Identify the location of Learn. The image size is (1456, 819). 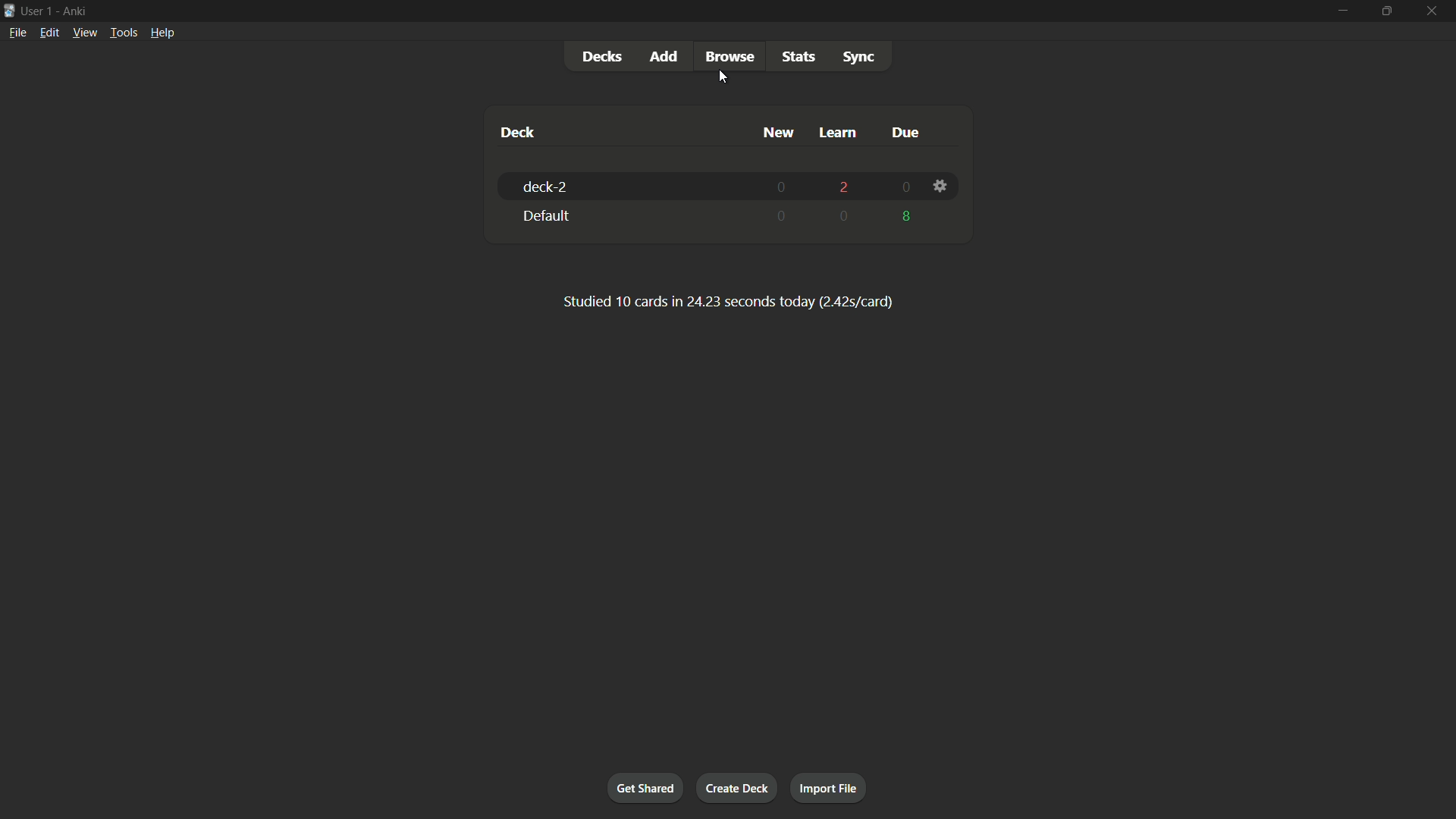
(839, 134).